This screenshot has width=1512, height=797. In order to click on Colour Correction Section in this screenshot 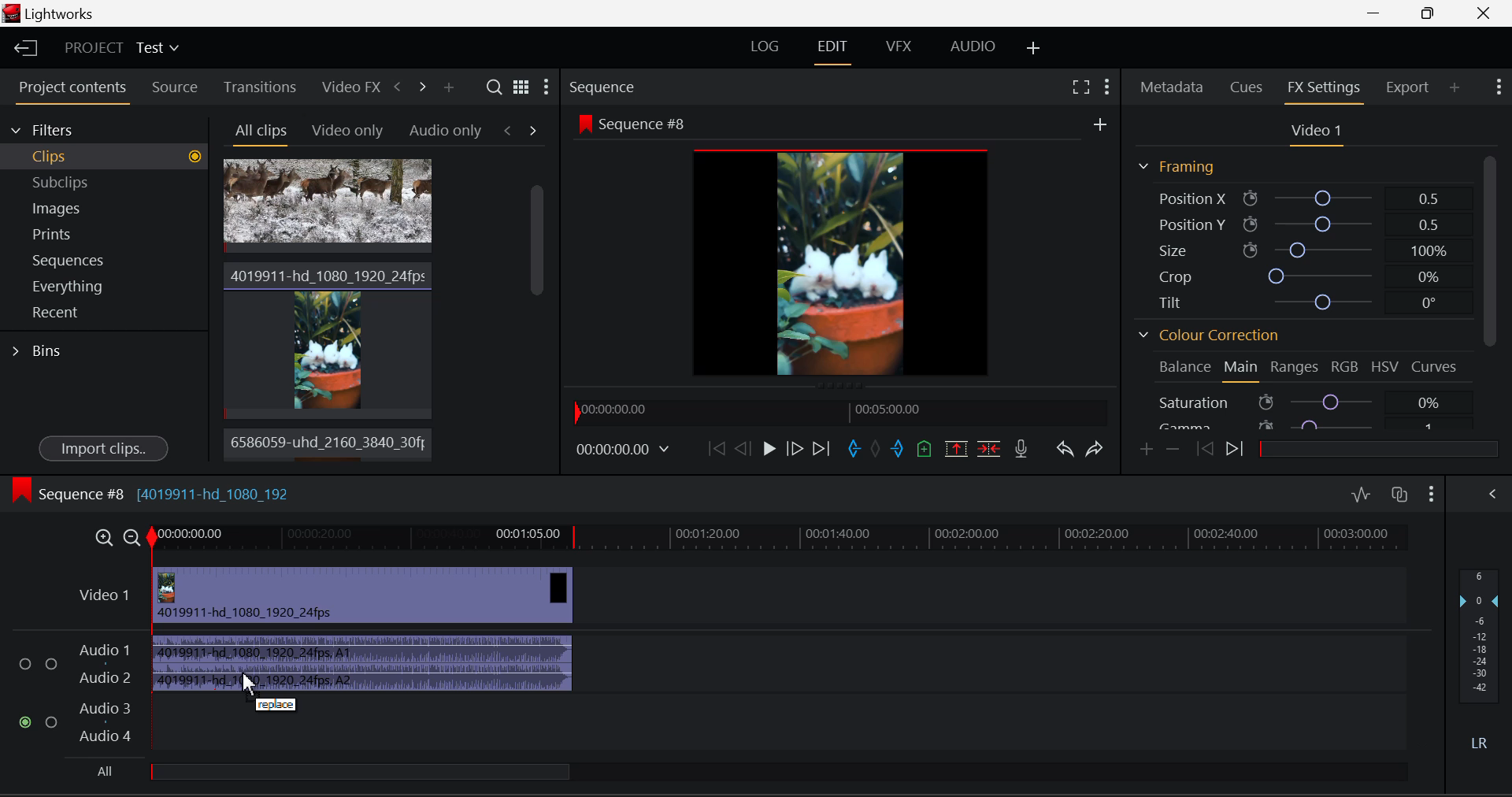, I will do `click(1206, 335)`.